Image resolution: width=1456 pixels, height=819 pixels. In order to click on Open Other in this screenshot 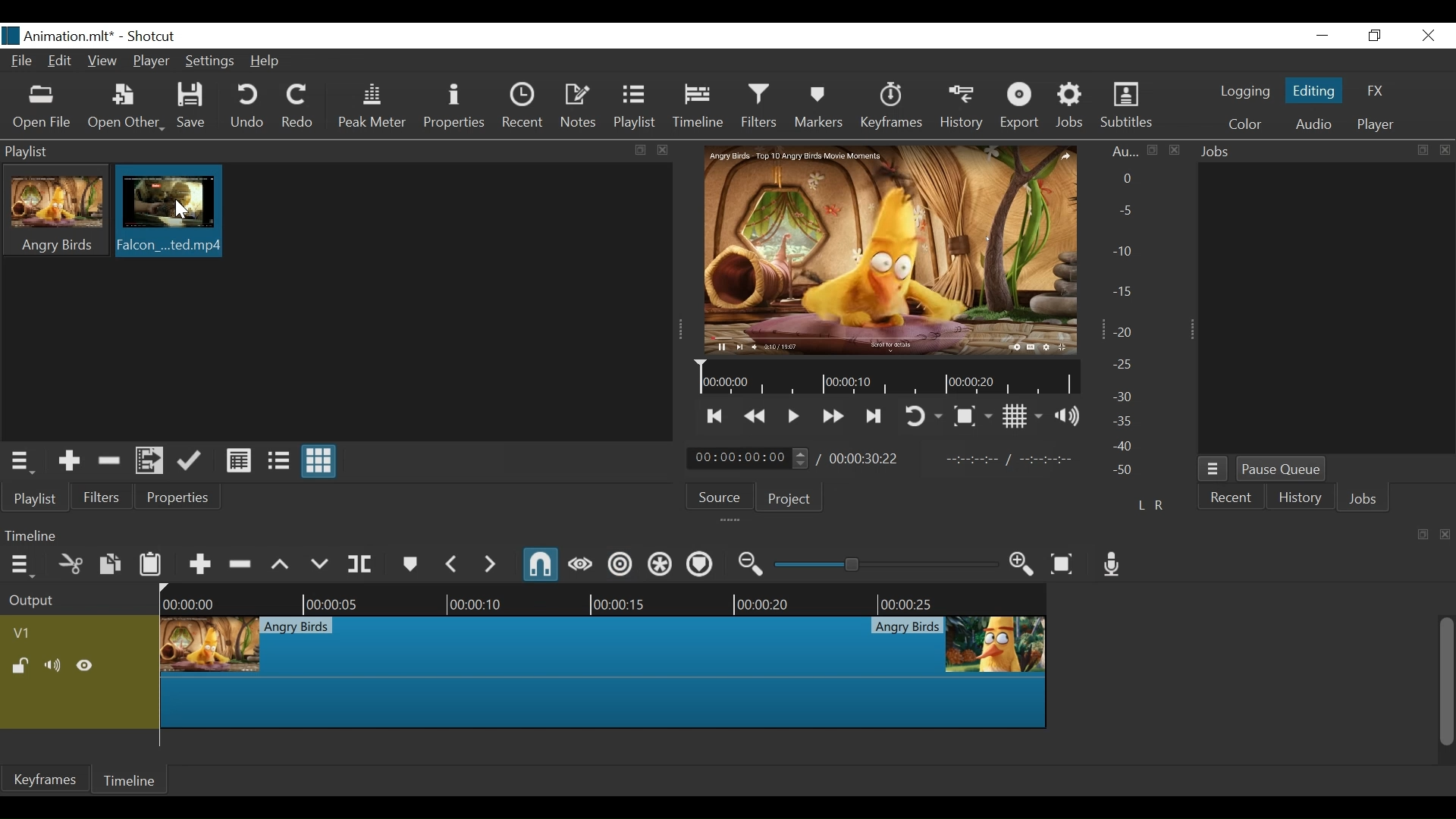, I will do `click(125, 108)`.